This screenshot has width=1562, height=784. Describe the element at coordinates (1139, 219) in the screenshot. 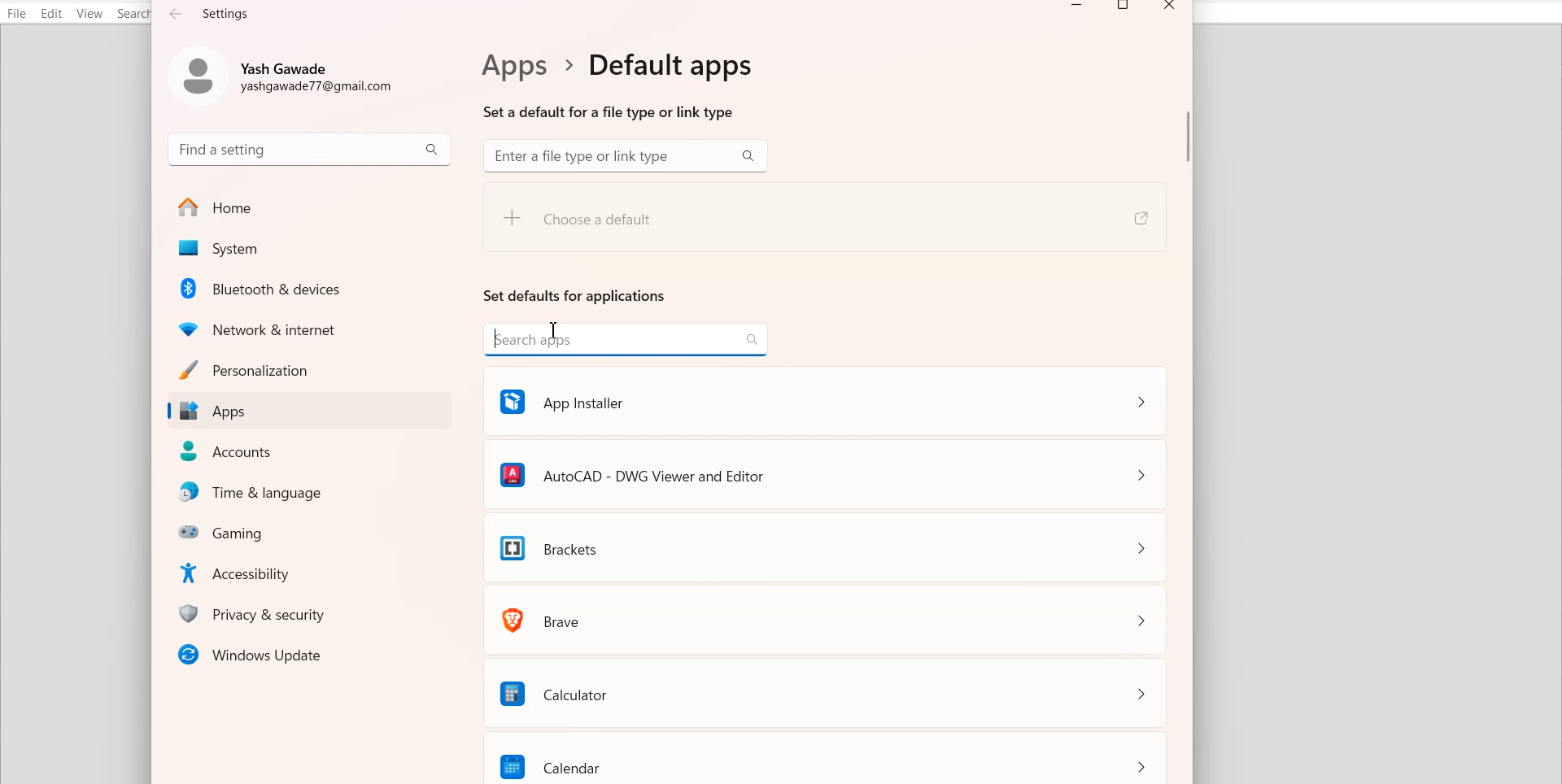

I see `Share` at that location.